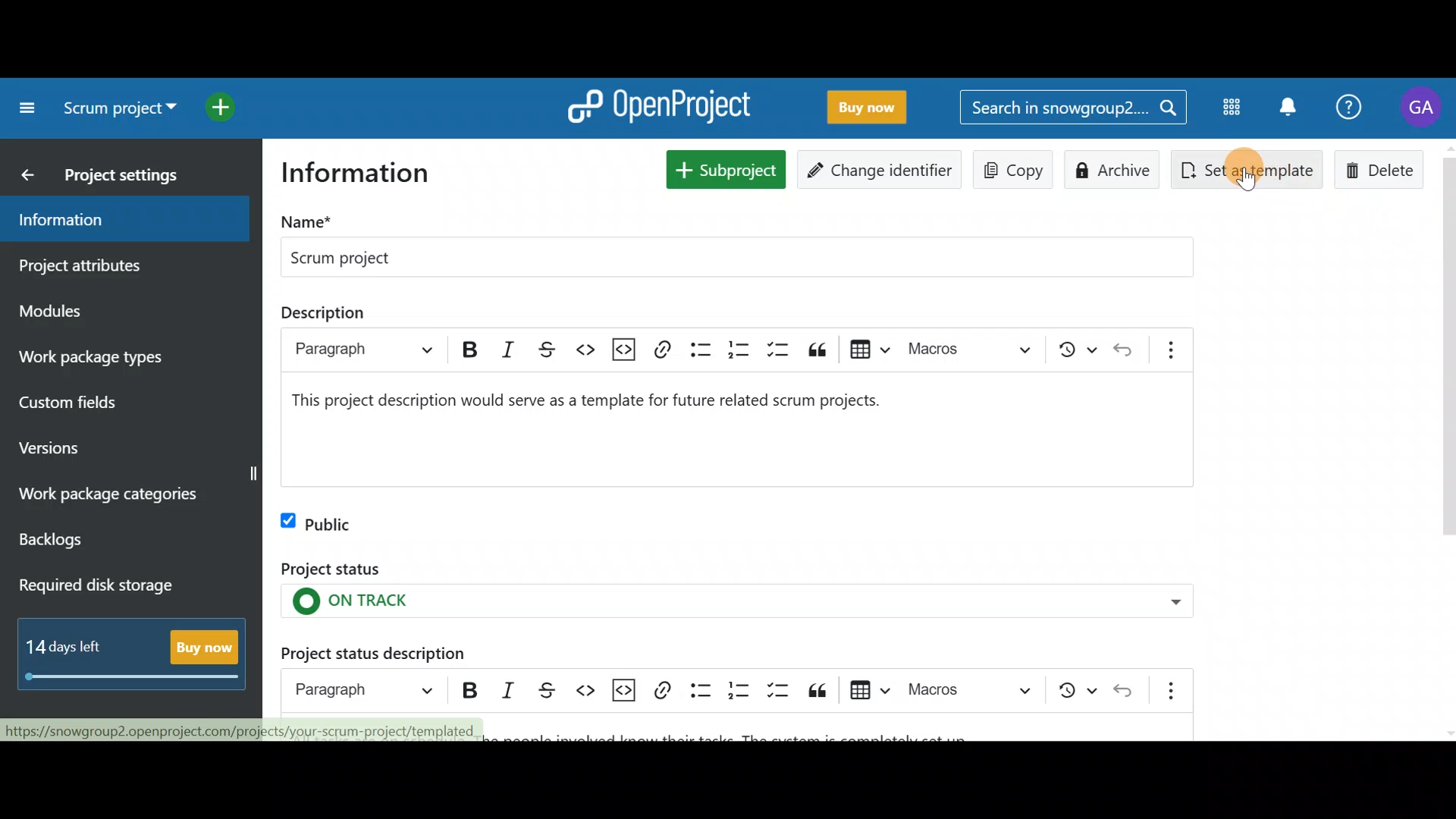  Describe the element at coordinates (777, 691) in the screenshot. I see `To-do list` at that location.